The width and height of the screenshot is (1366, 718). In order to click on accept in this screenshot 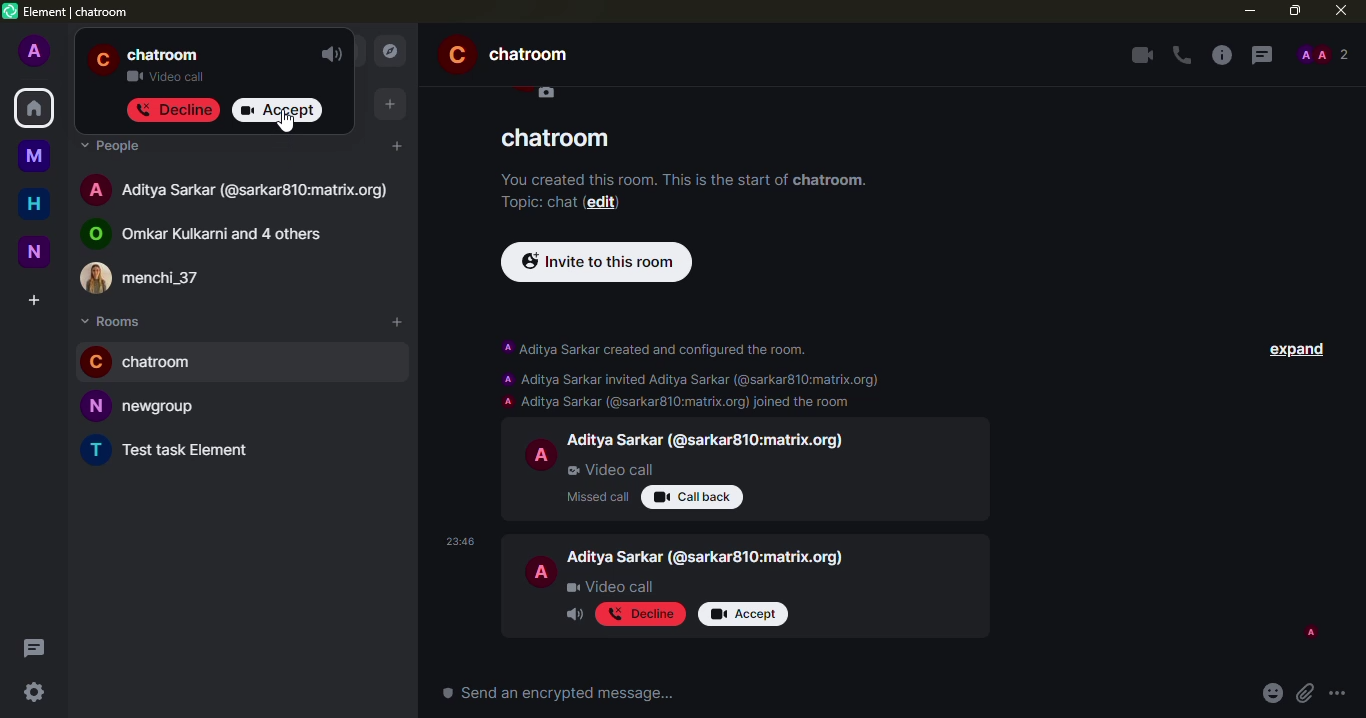, I will do `click(279, 111)`.